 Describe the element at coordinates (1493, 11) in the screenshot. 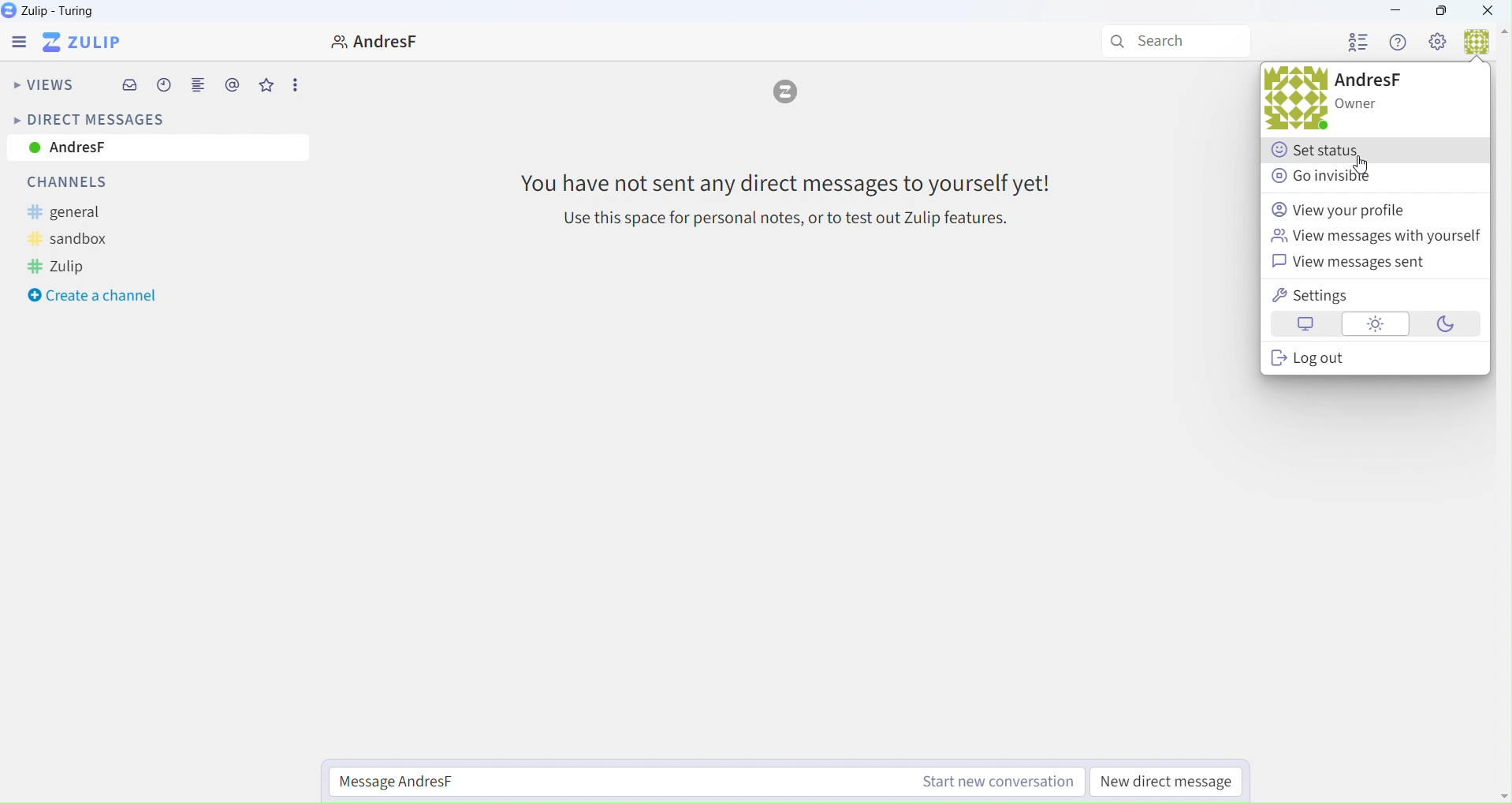

I see `Close` at that location.